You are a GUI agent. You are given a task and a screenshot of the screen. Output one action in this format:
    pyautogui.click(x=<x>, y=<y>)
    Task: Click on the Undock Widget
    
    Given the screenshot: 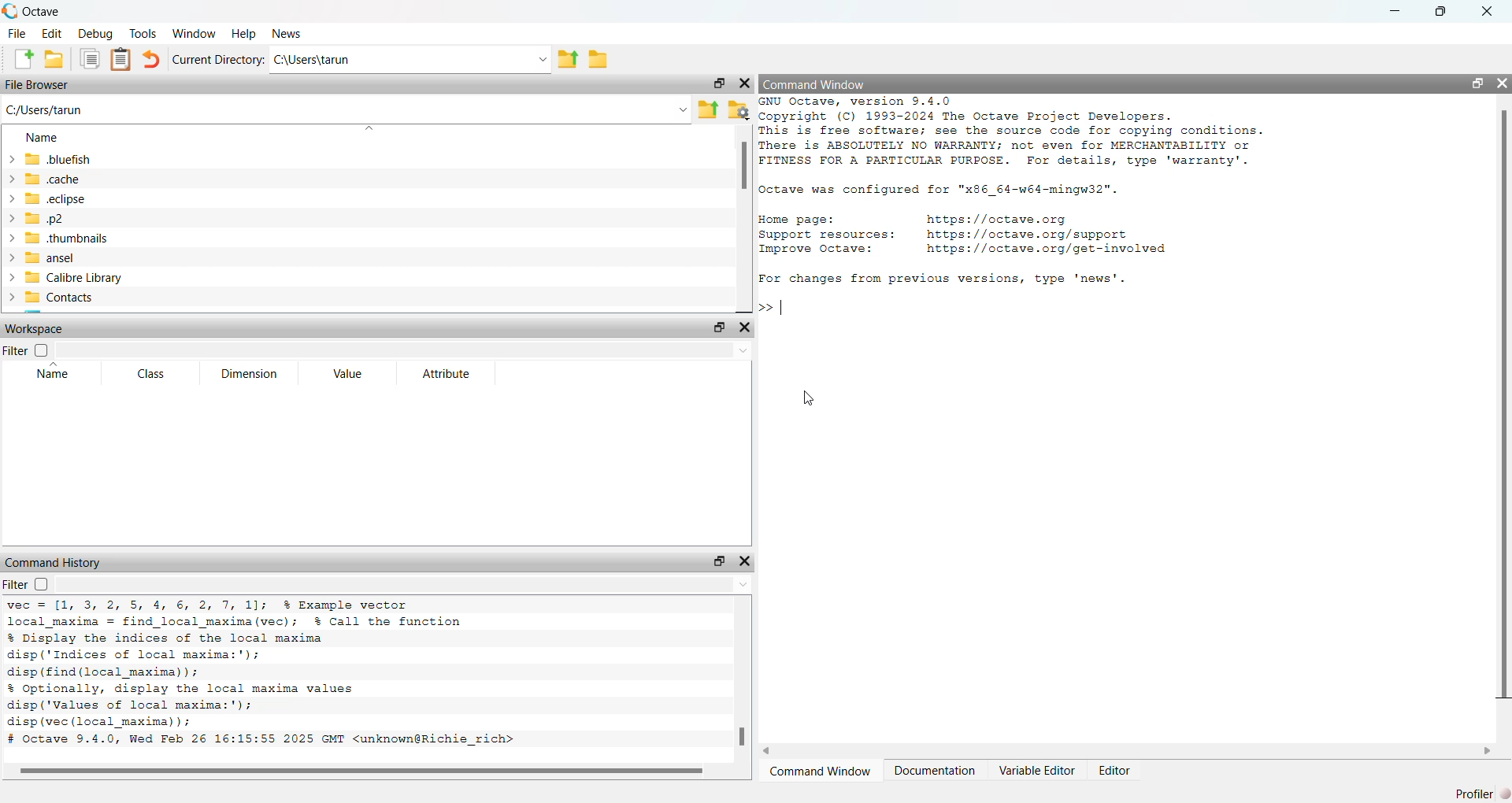 What is the action you would take?
    pyautogui.click(x=717, y=327)
    